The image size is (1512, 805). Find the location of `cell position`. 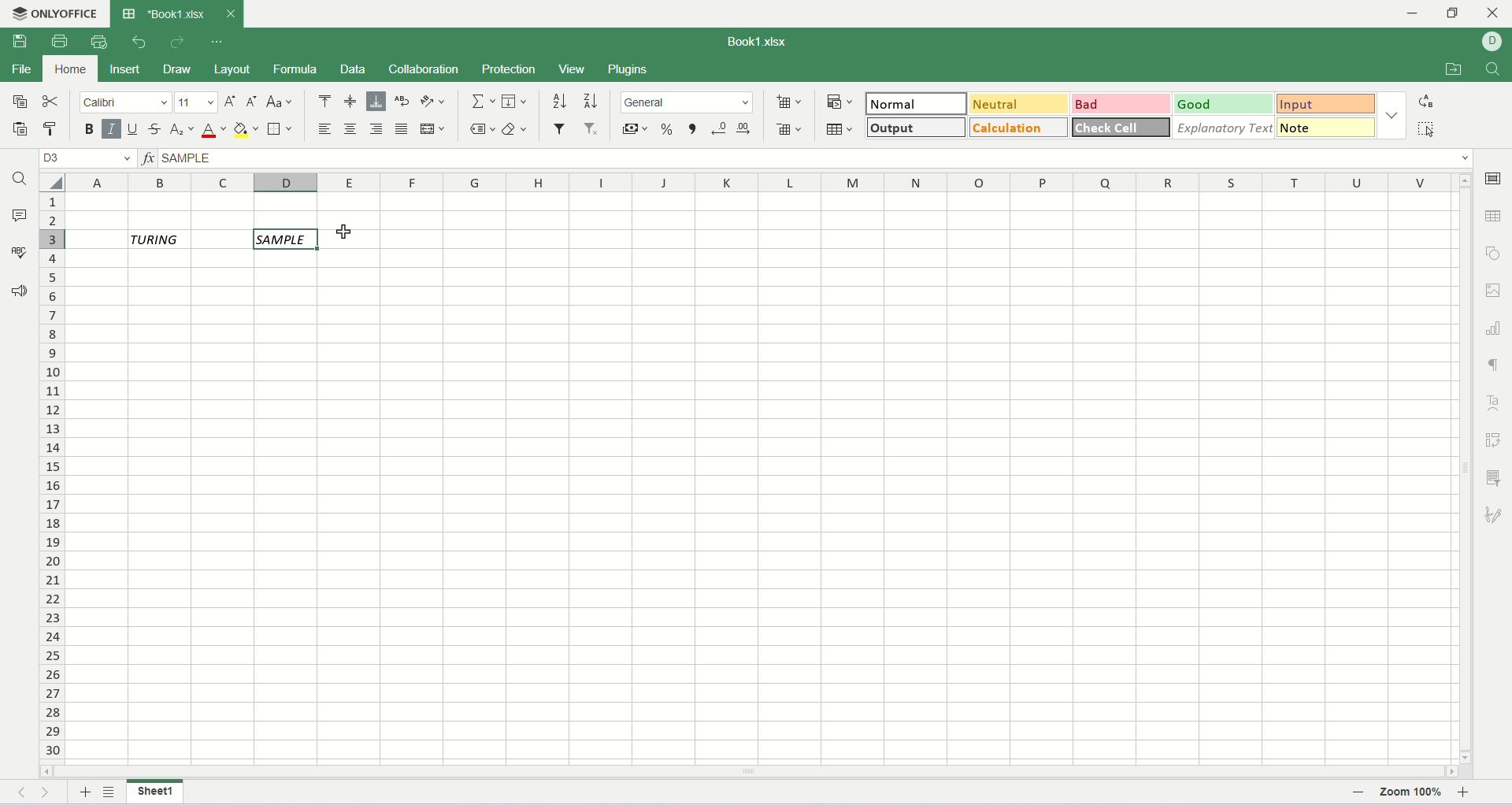

cell position is located at coordinates (90, 158).